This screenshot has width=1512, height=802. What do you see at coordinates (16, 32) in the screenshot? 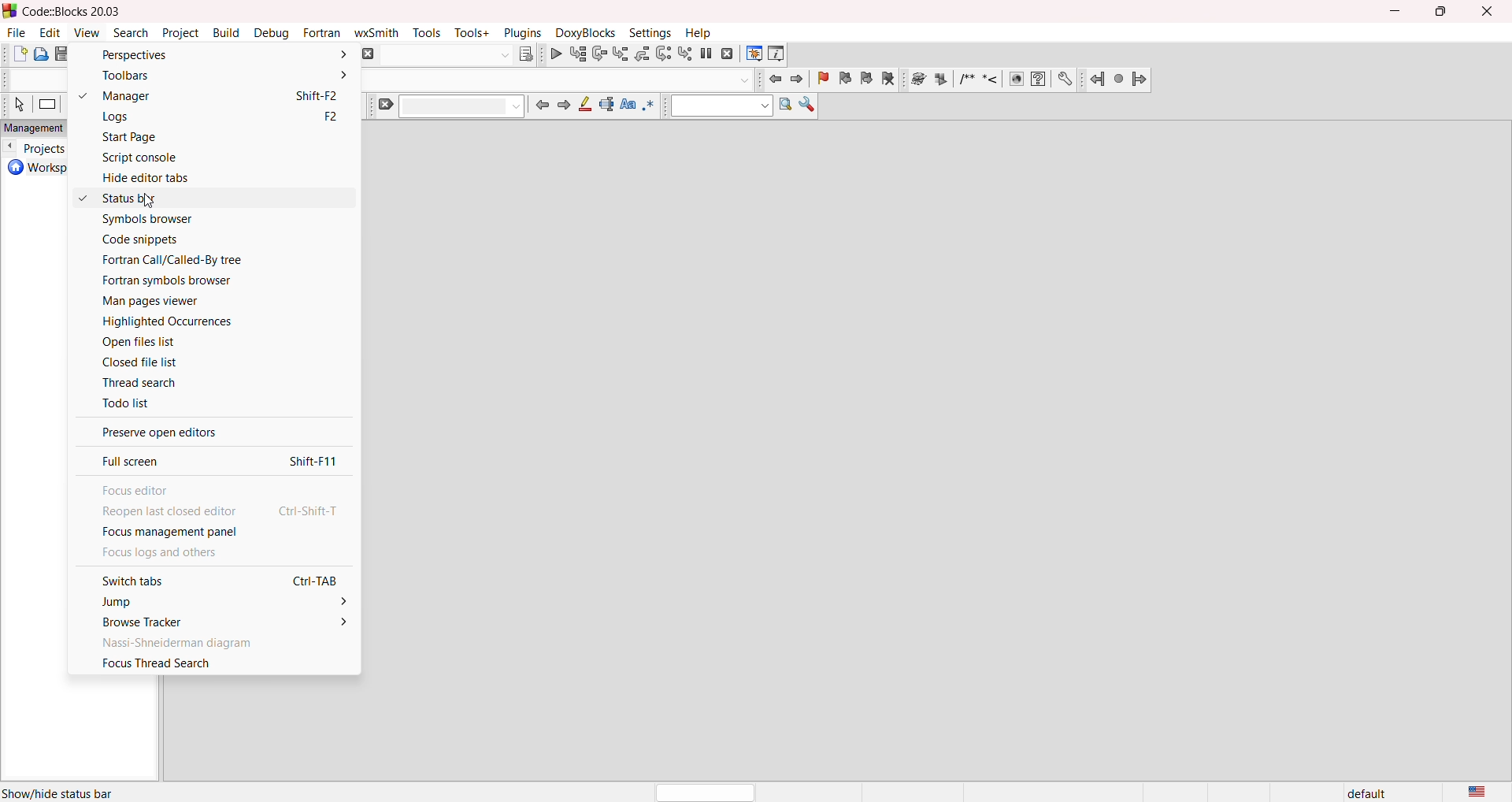
I see `file` at bounding box center [16, 32].